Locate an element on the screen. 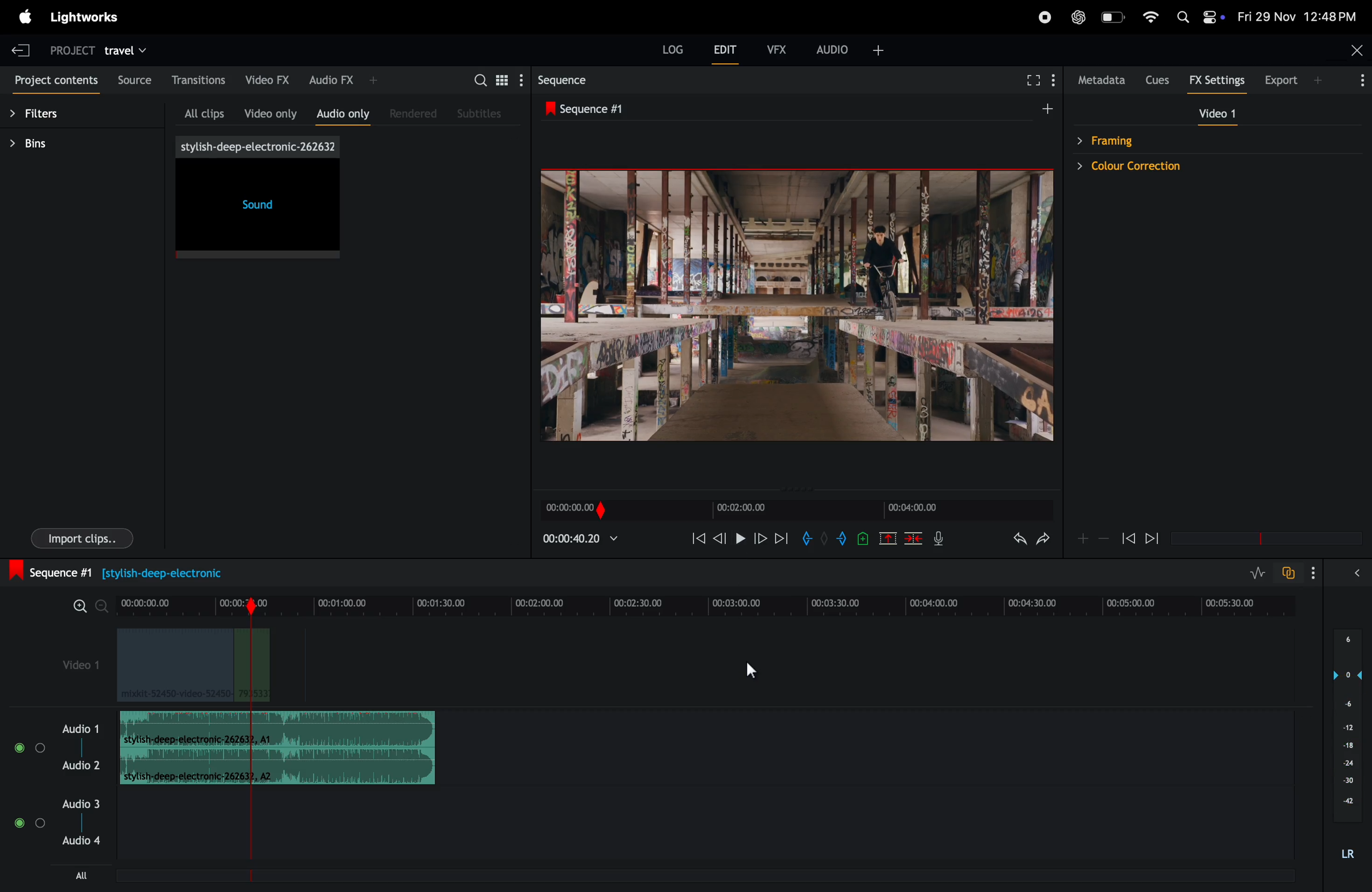 Image resolution: width=1372 pixels, height=892 pixels. show settings menu is located at coordinates (520, 80).